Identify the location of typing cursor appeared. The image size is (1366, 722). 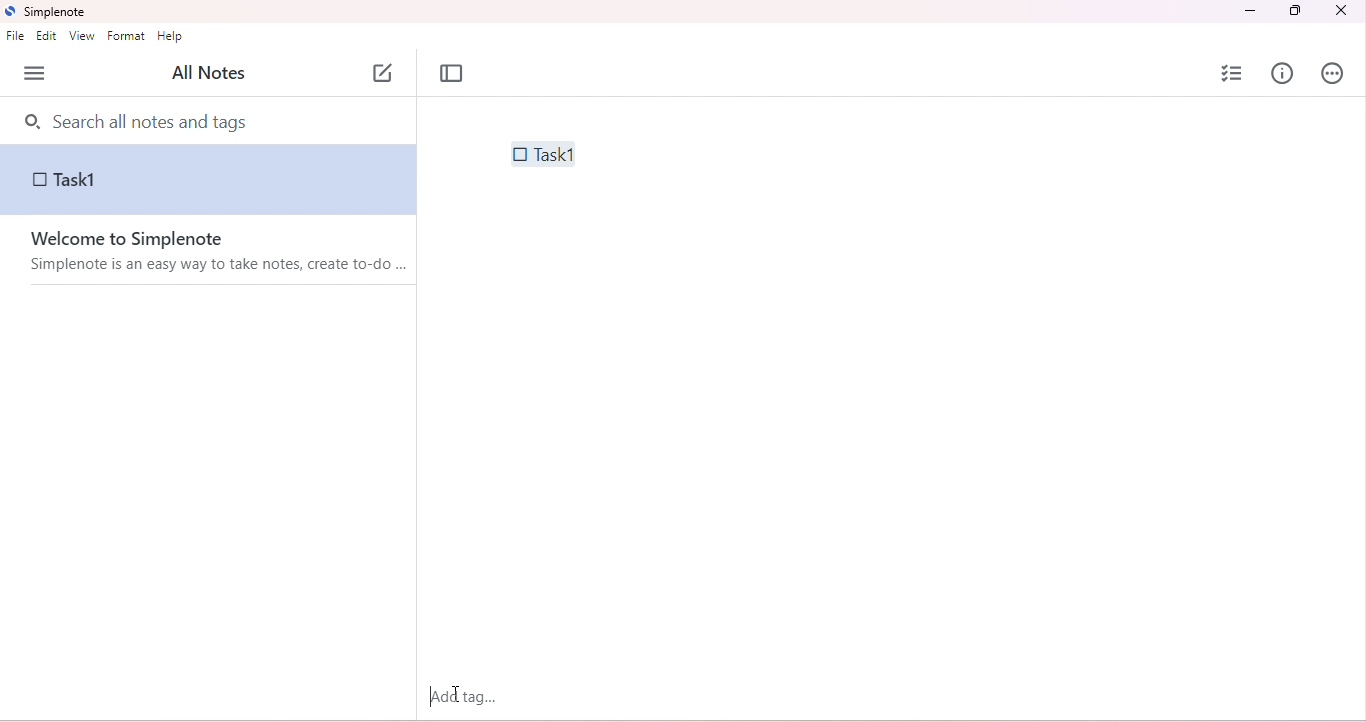
(433, 696).